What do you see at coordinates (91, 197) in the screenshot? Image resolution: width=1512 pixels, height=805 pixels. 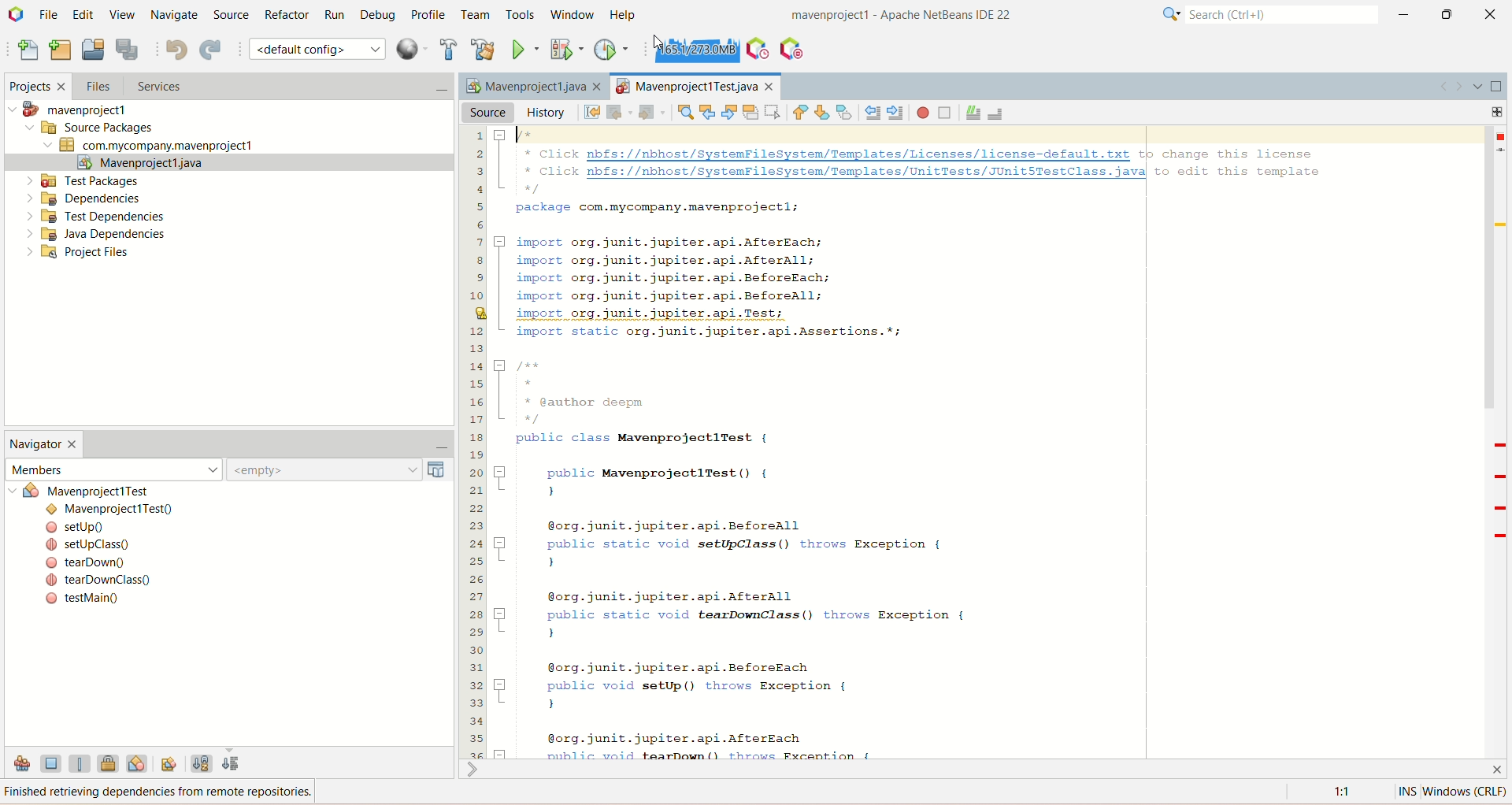 I see `dependencies` at bounding box center [91, 197].